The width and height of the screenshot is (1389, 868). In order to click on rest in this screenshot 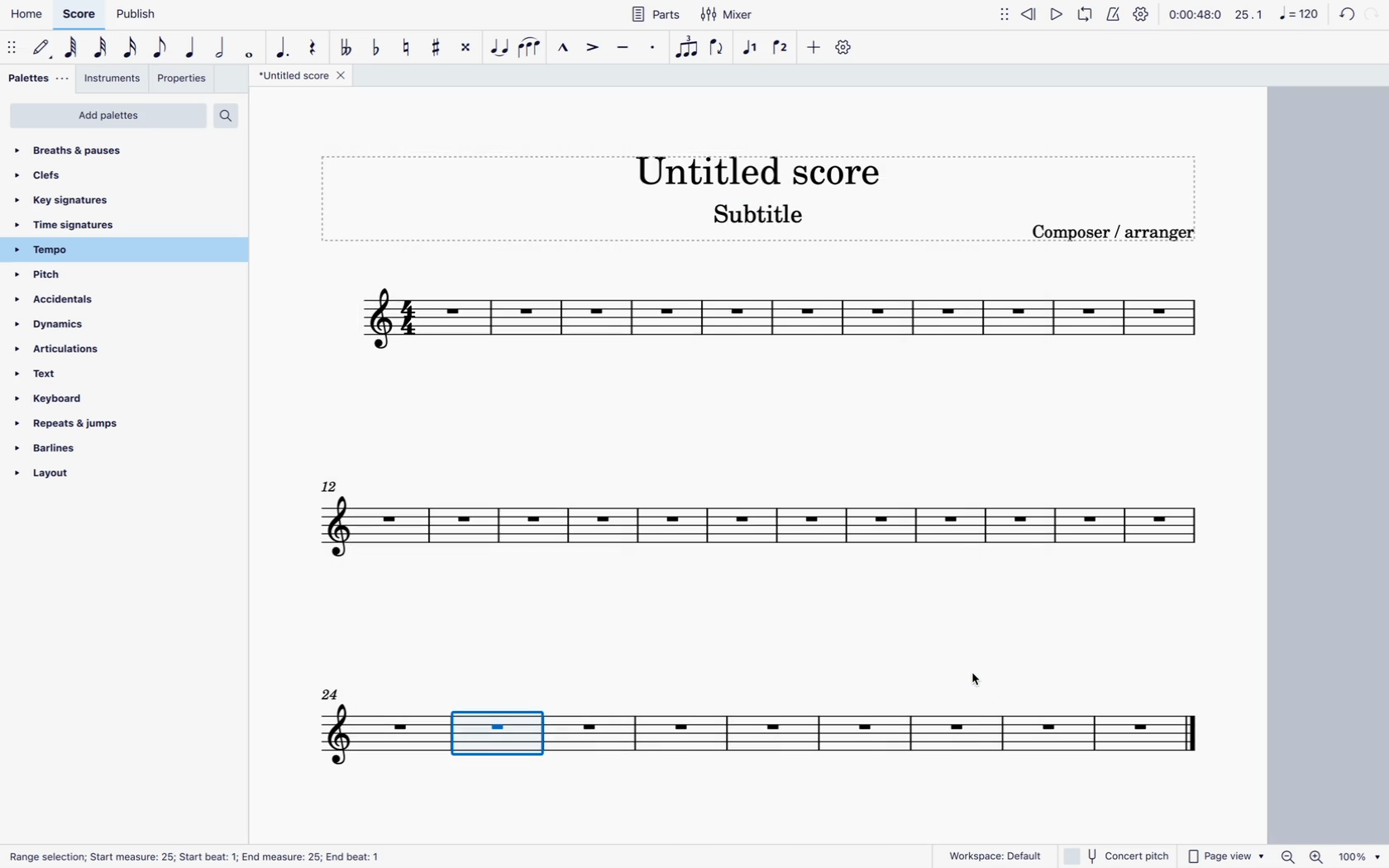, I will do `click(314, 46)`.